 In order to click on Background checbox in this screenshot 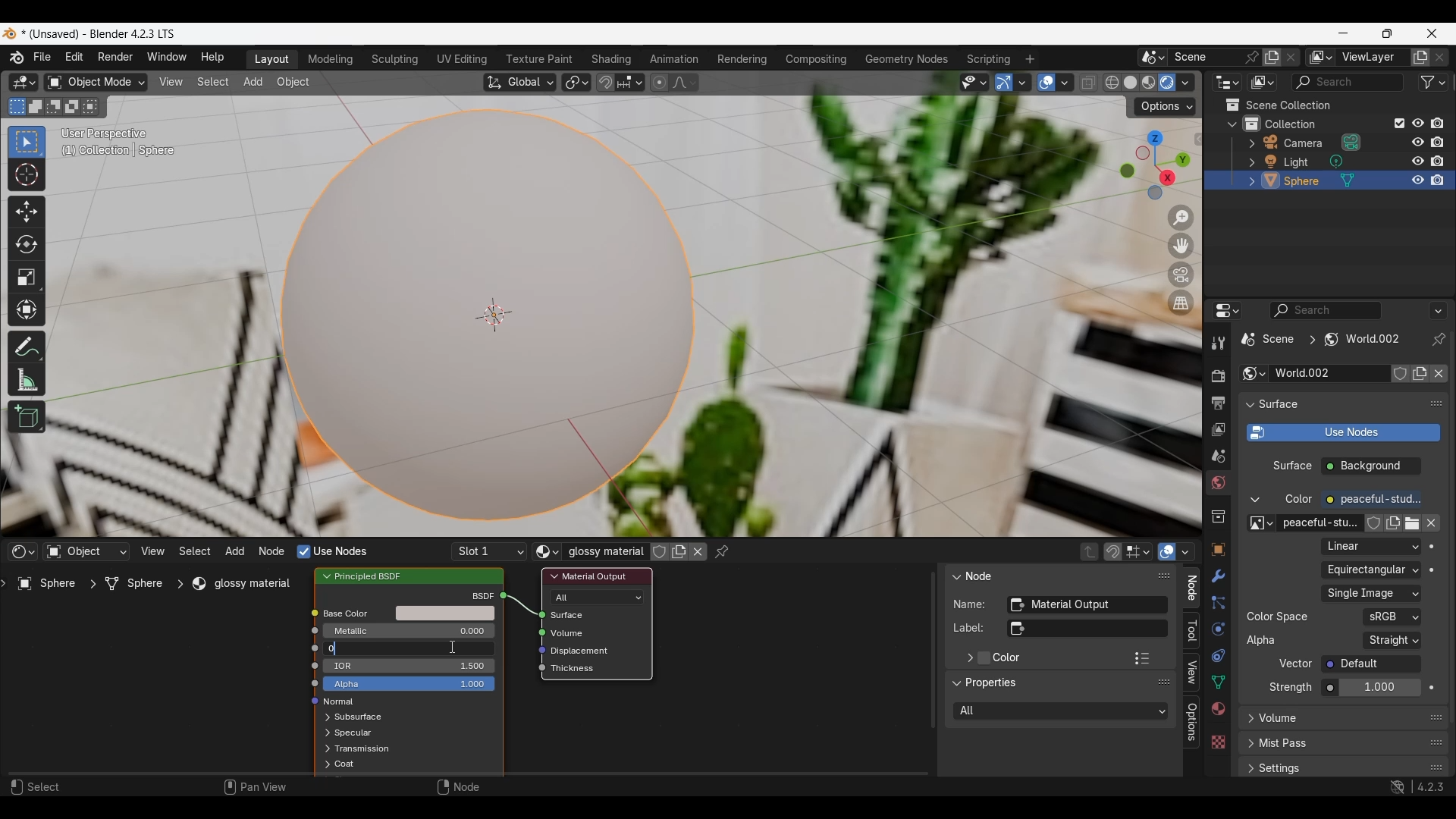, I will do `click(1372, 466)`.